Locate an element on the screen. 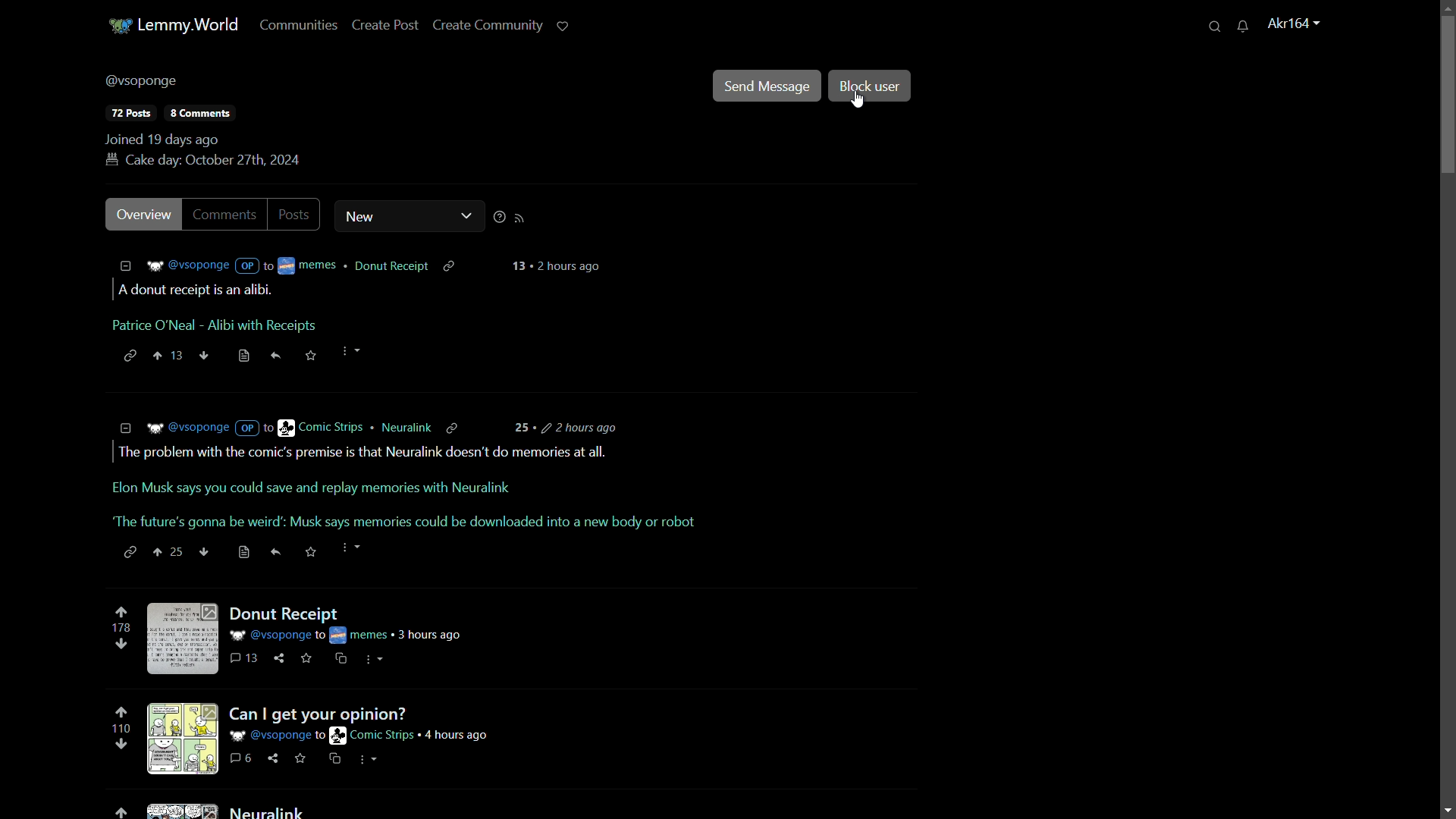 The height and width of the screenshot is (819, 1456). upvote is located at coordinates (121, 714).